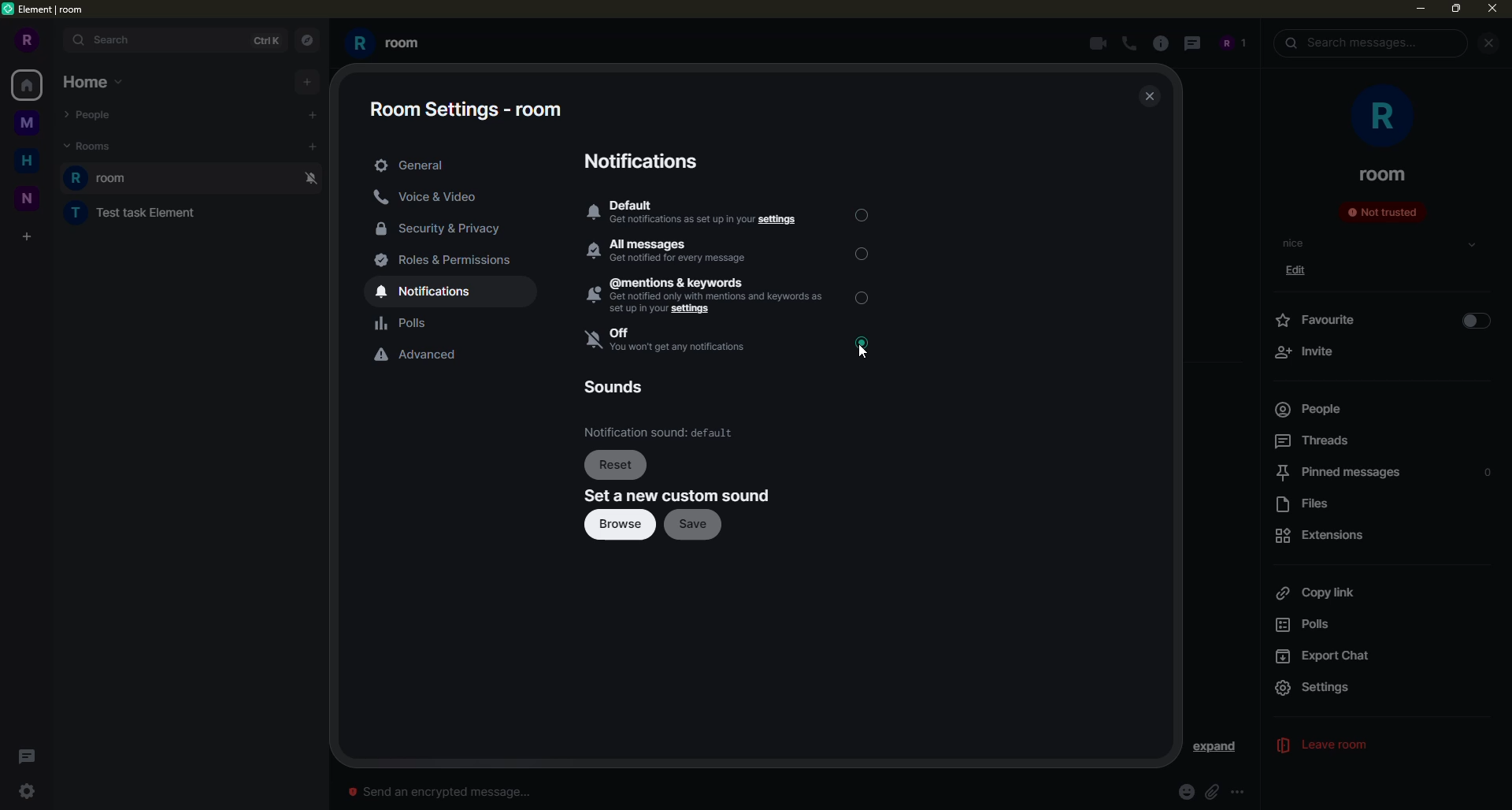 Image resolution: width=1512 pixels, height=810 pixels. I want to click on close, so click(1151, 98).